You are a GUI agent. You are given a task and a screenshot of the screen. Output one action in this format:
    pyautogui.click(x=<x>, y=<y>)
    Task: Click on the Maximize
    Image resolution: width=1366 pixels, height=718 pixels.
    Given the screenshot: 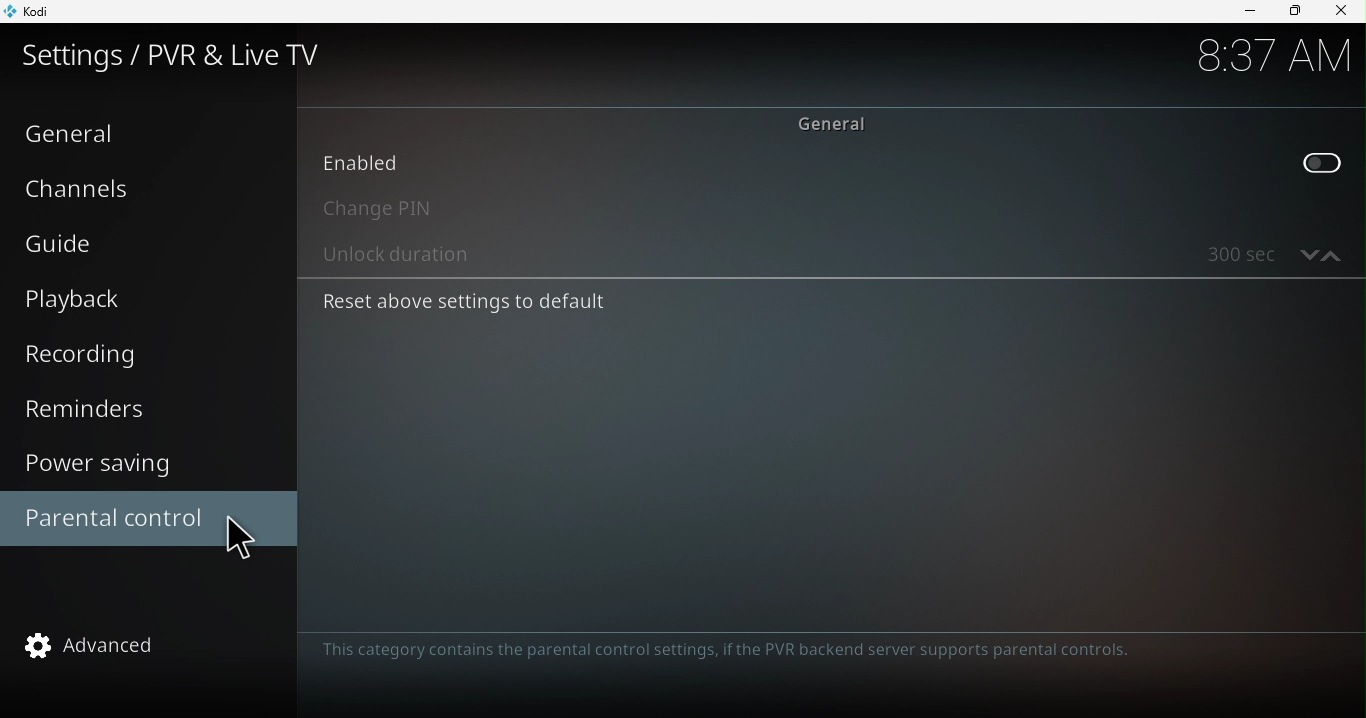 What is the action you would take?
    pyautogui.click(x=1294, y=11)
    